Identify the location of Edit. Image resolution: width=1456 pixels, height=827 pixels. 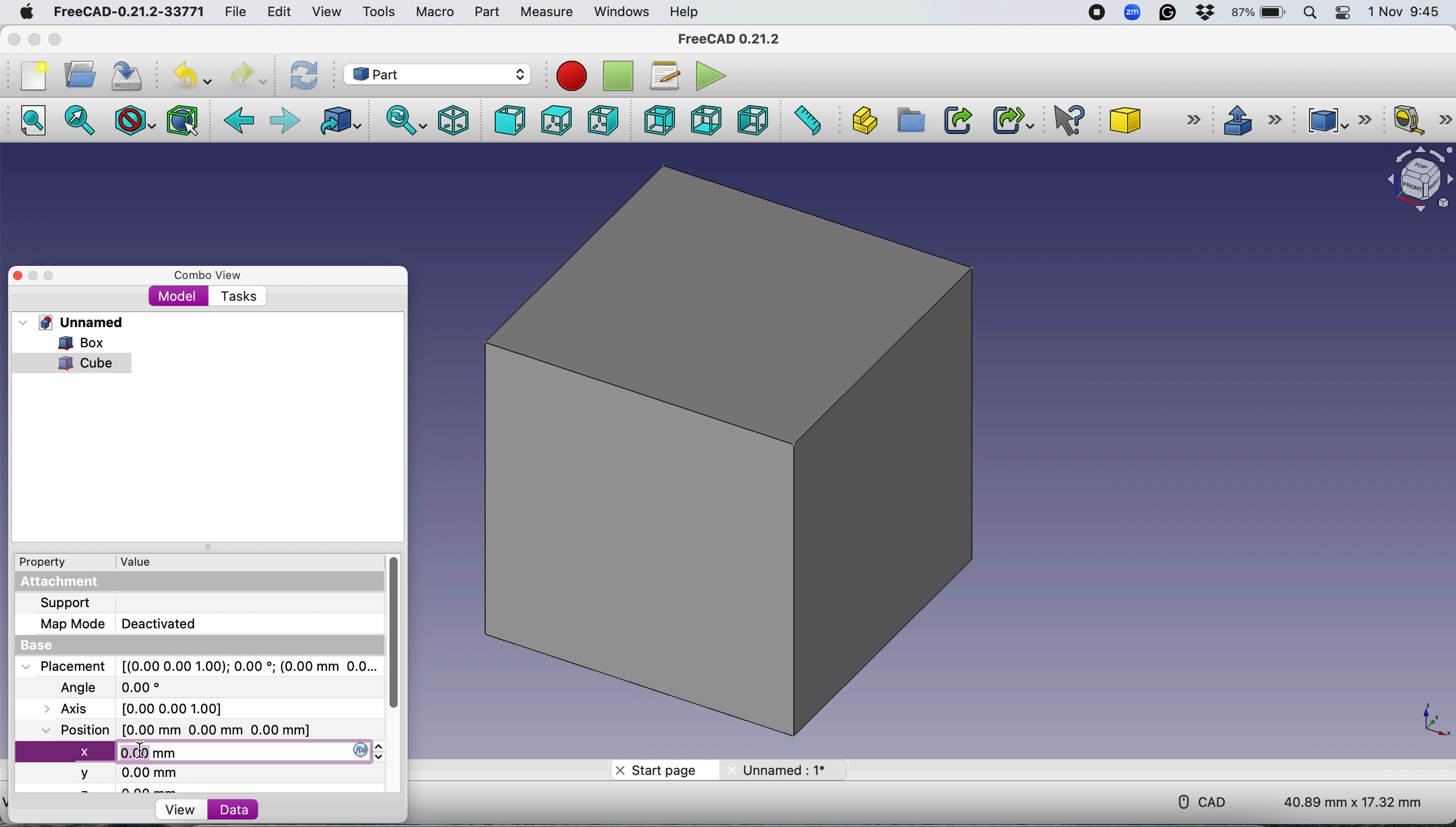
(277, 12).